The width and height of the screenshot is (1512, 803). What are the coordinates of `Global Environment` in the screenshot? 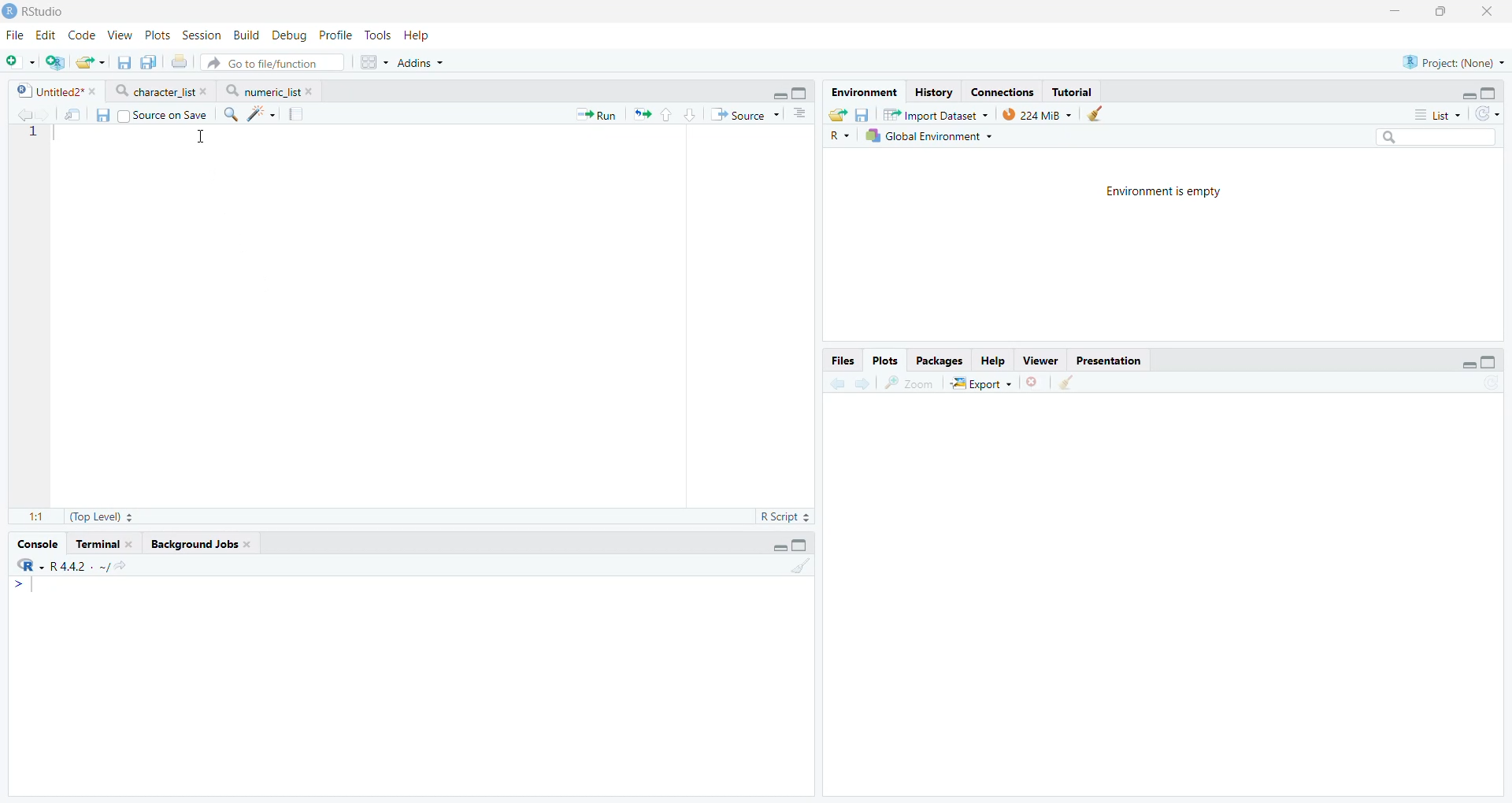 It's located at (928, 137).